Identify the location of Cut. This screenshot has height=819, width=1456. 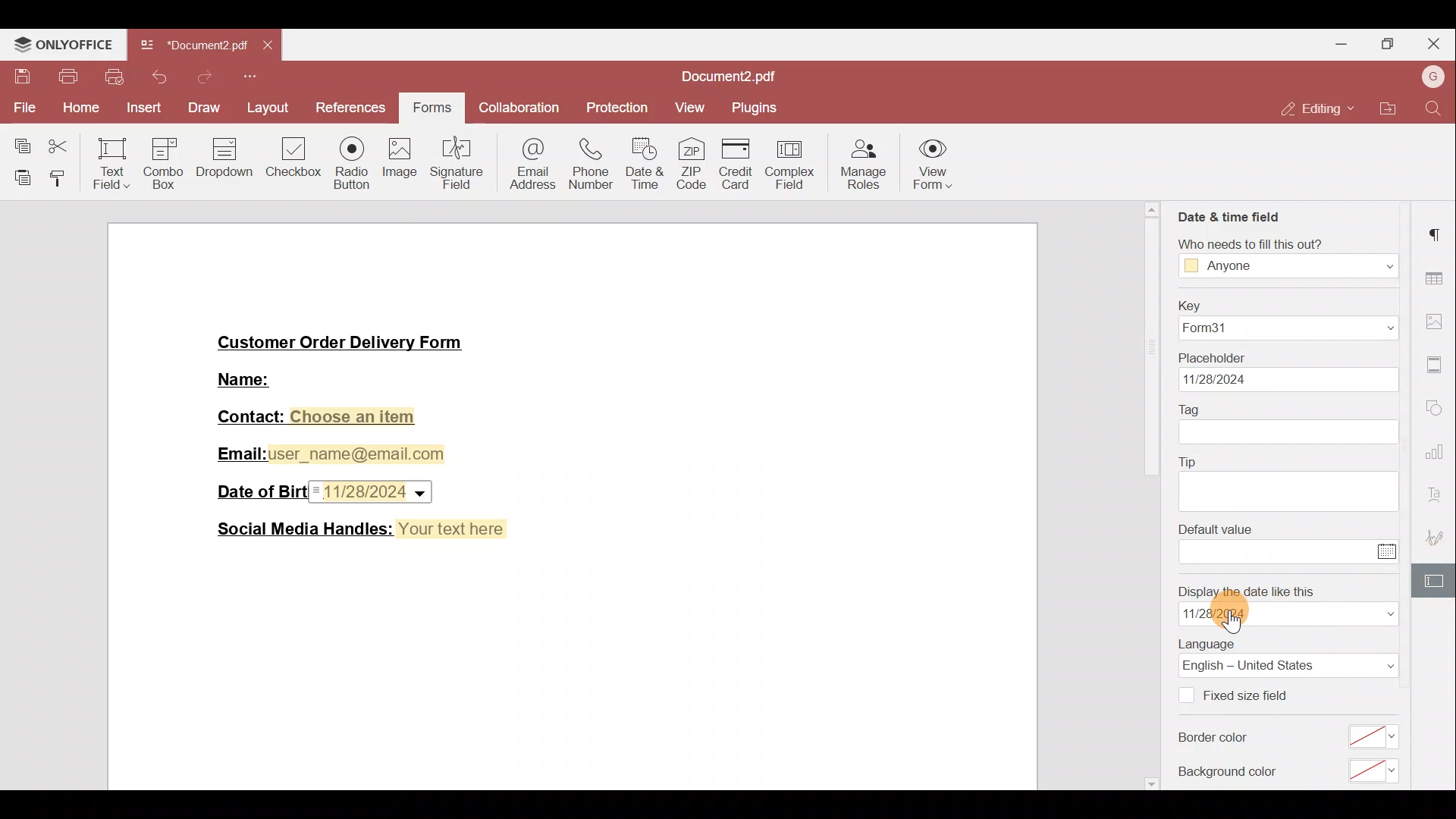
(62, 143).